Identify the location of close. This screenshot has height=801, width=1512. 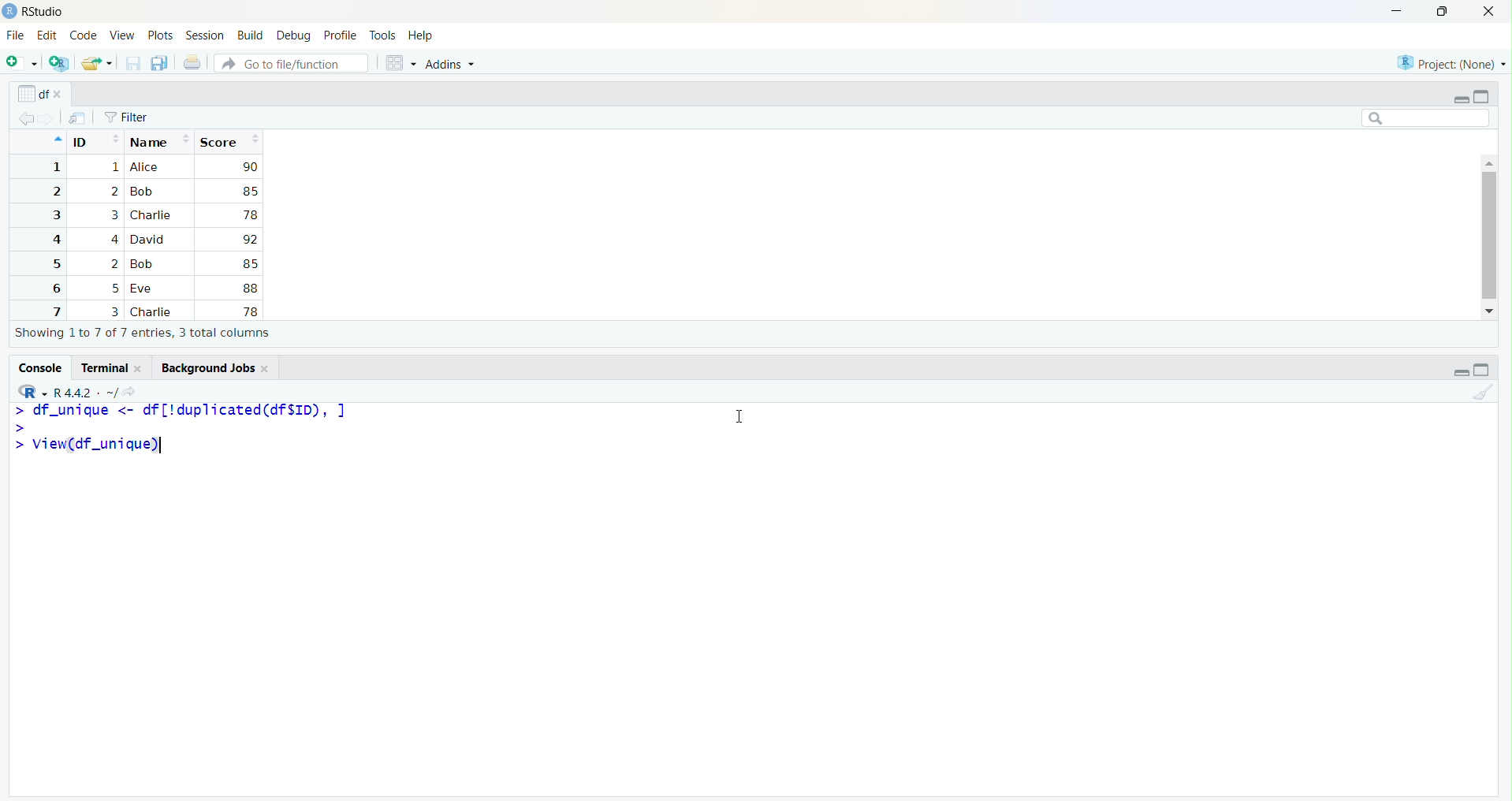
(266, 368).